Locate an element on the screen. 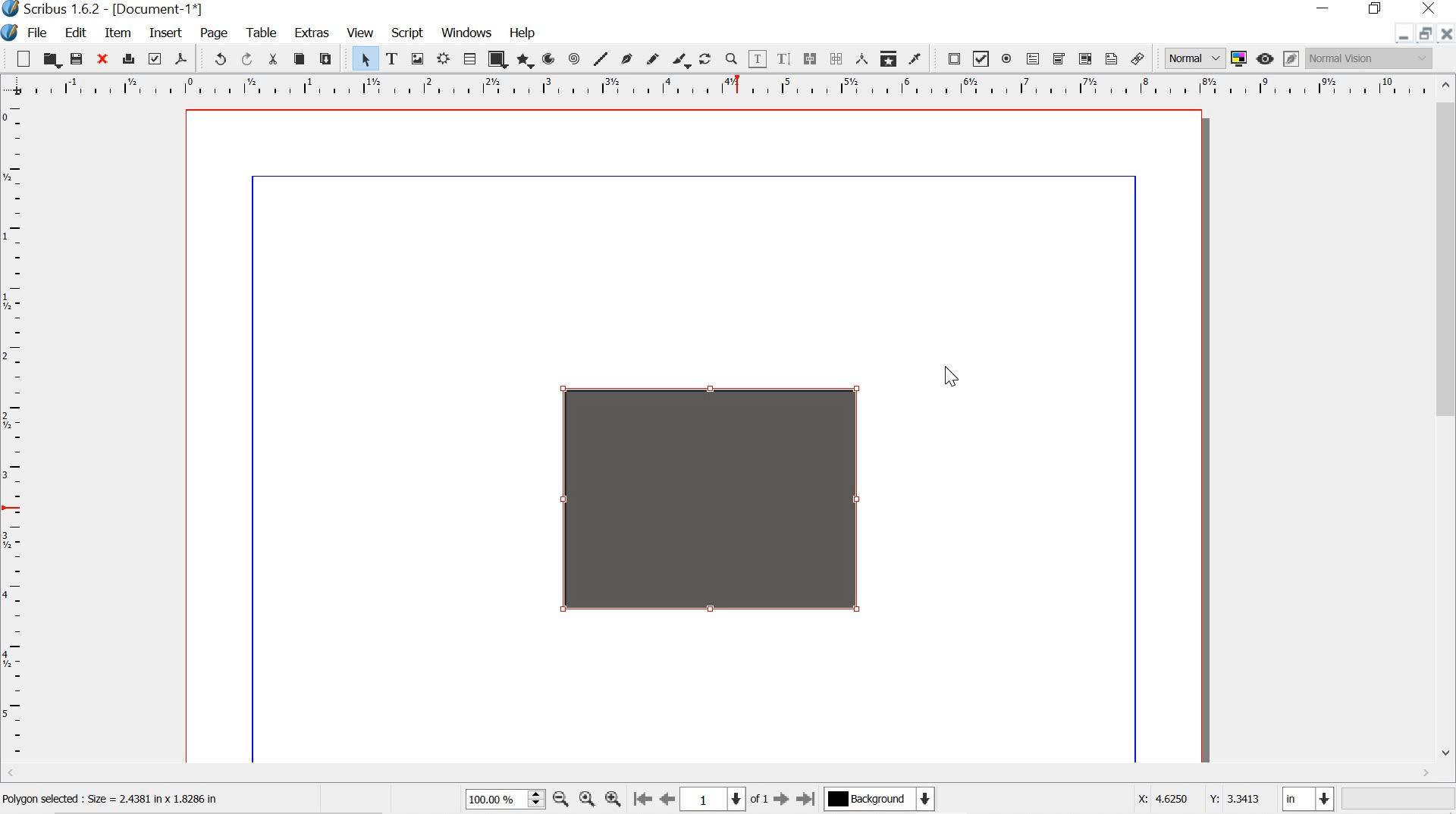  normal is located at coordinates (1195, 58).